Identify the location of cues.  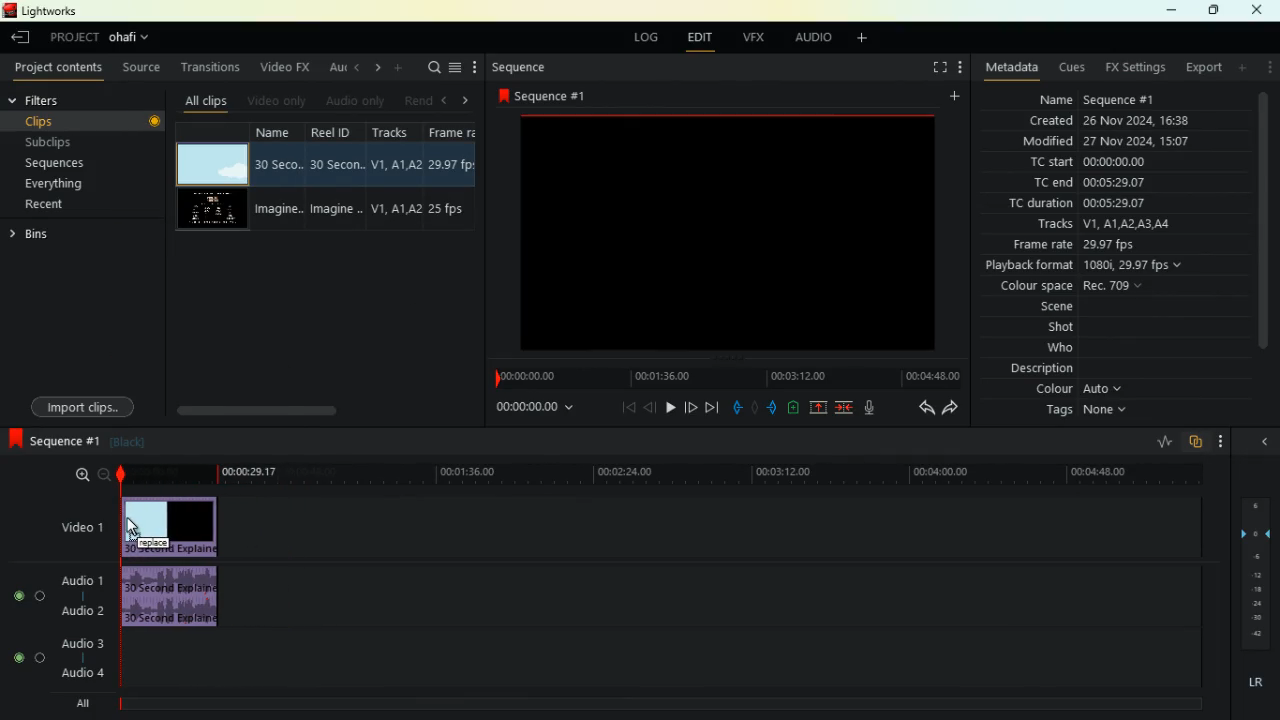
(1074, 67).